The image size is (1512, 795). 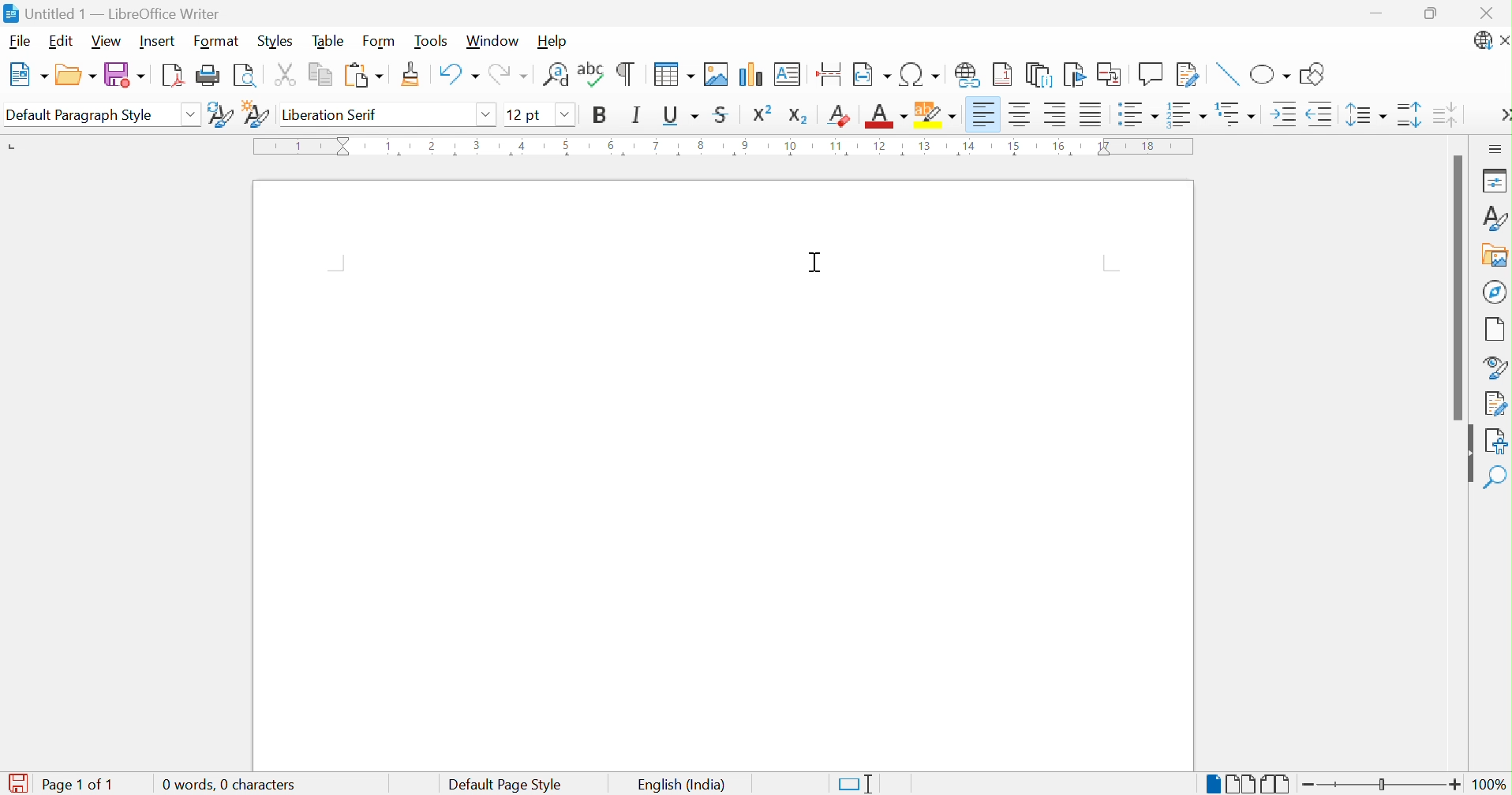 I want to click on Find and replace, so click(x=555, y=72).